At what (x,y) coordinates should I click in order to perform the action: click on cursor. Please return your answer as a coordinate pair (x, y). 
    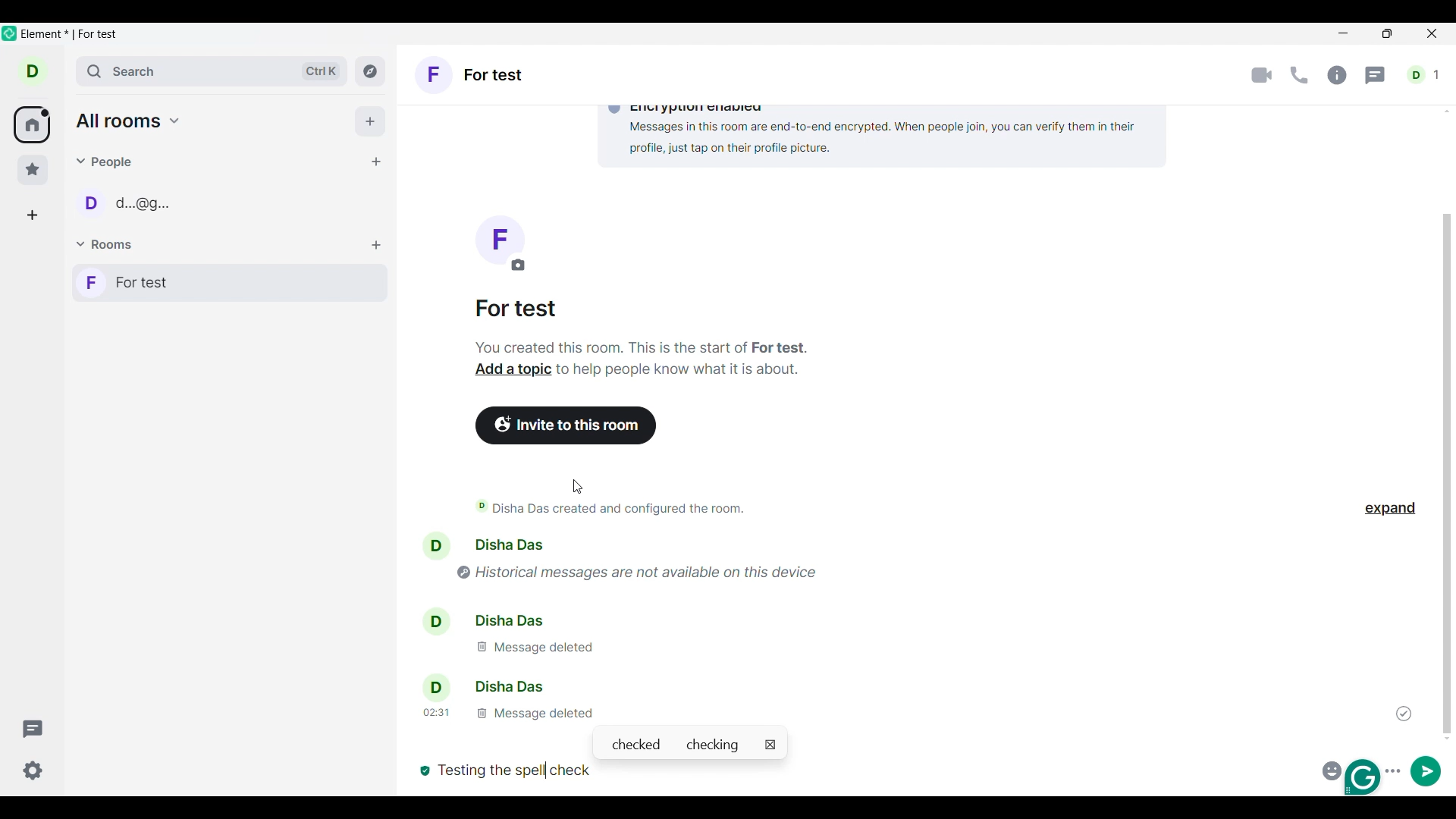
    Looking at the image, I should click on (579, 488).